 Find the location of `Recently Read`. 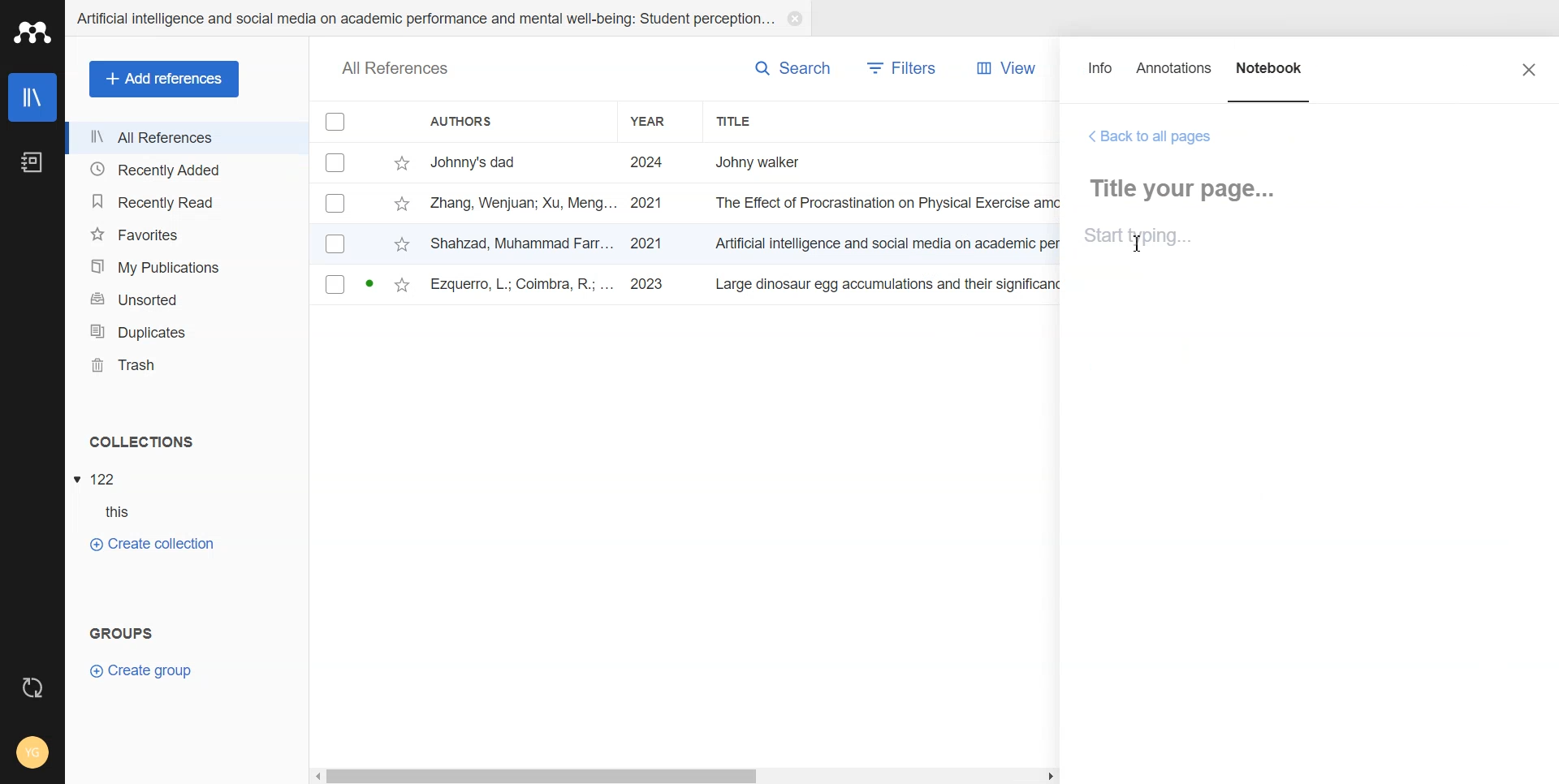

Recently Read is located at coordinates (185, 203).